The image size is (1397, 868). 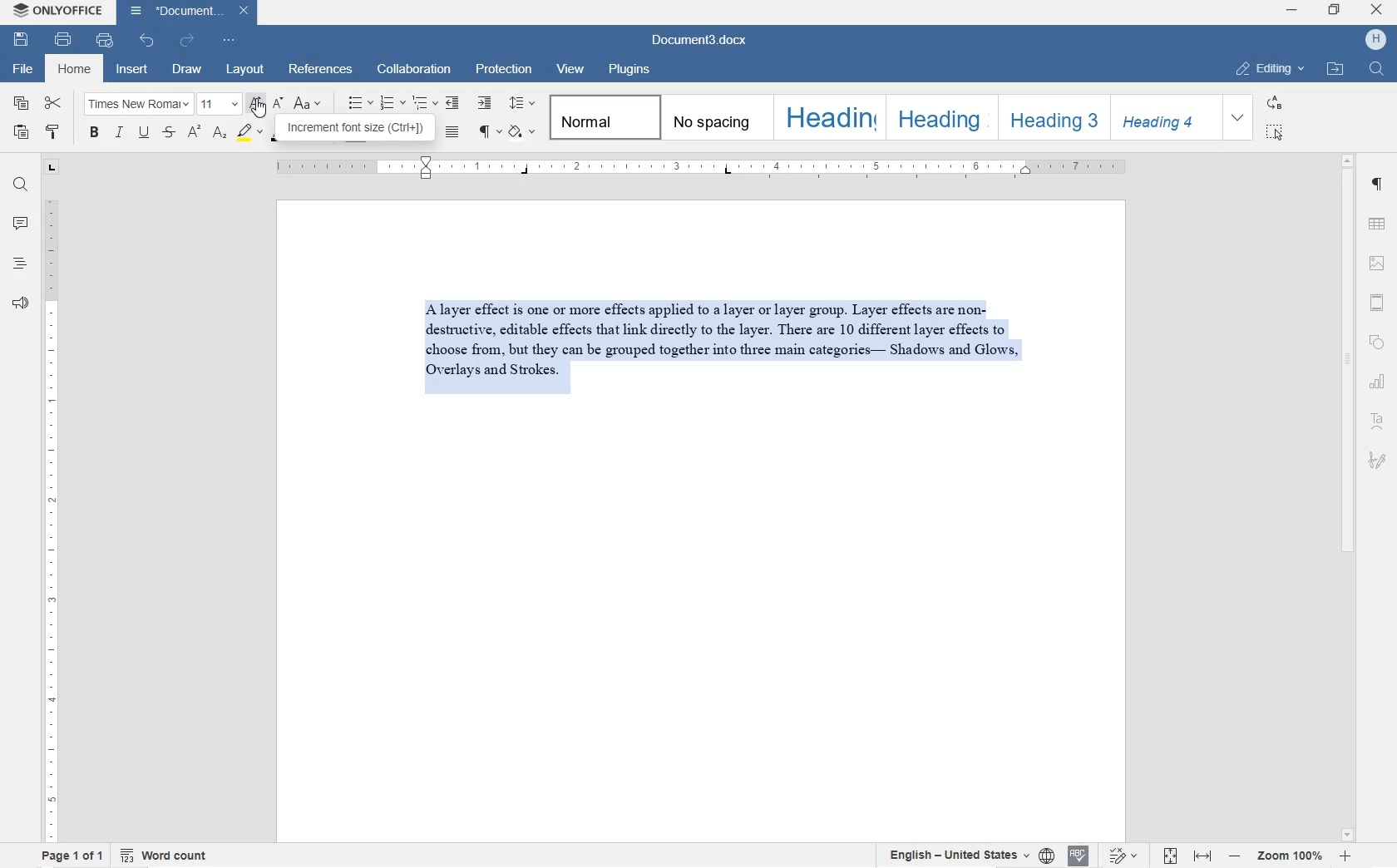 I want to click on NONPRINTING CHARACTERS, so click(x=490, y=132).